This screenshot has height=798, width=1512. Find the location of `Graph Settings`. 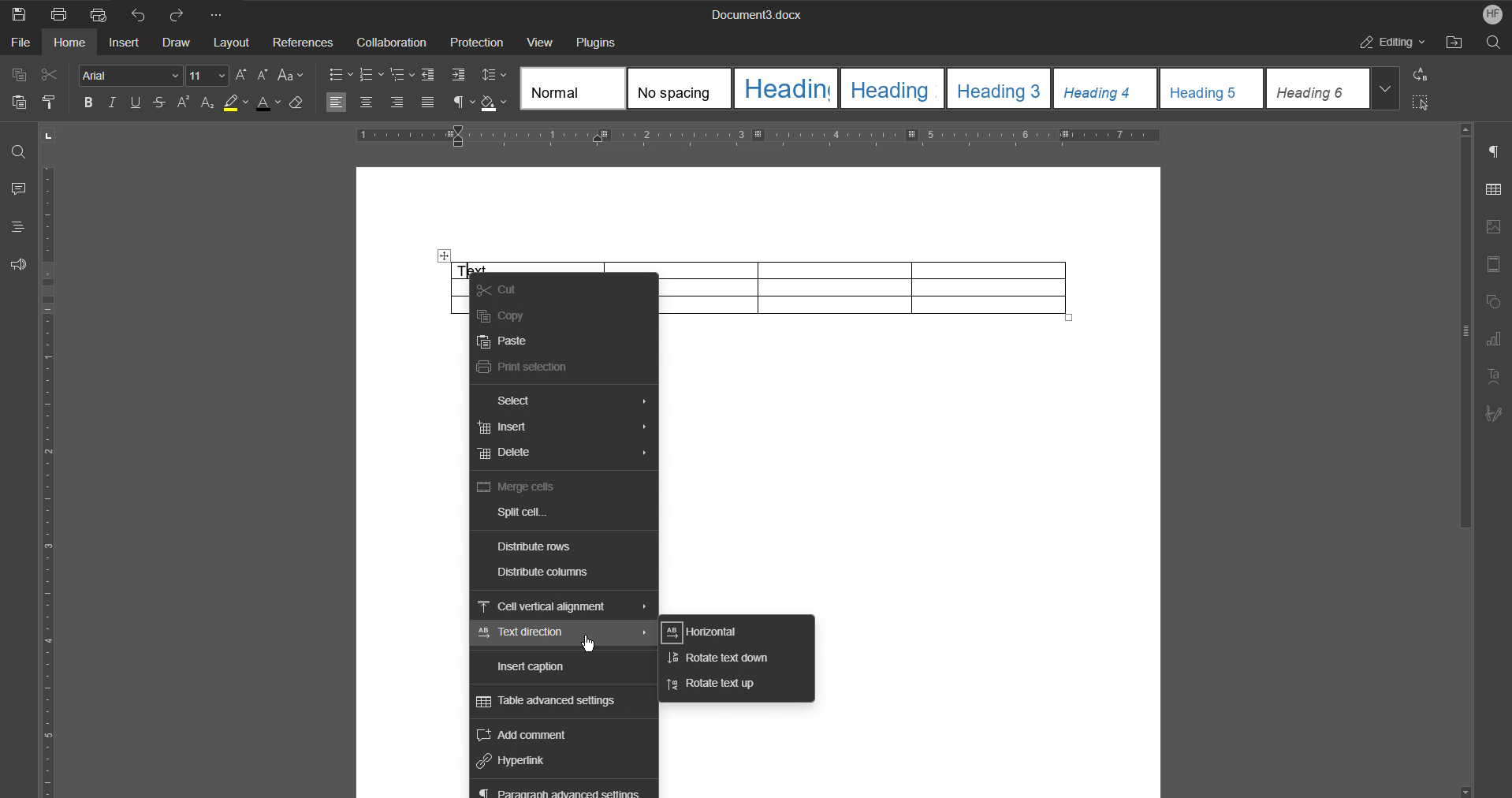

Graph Settings is located at coordinates (1495, 337).